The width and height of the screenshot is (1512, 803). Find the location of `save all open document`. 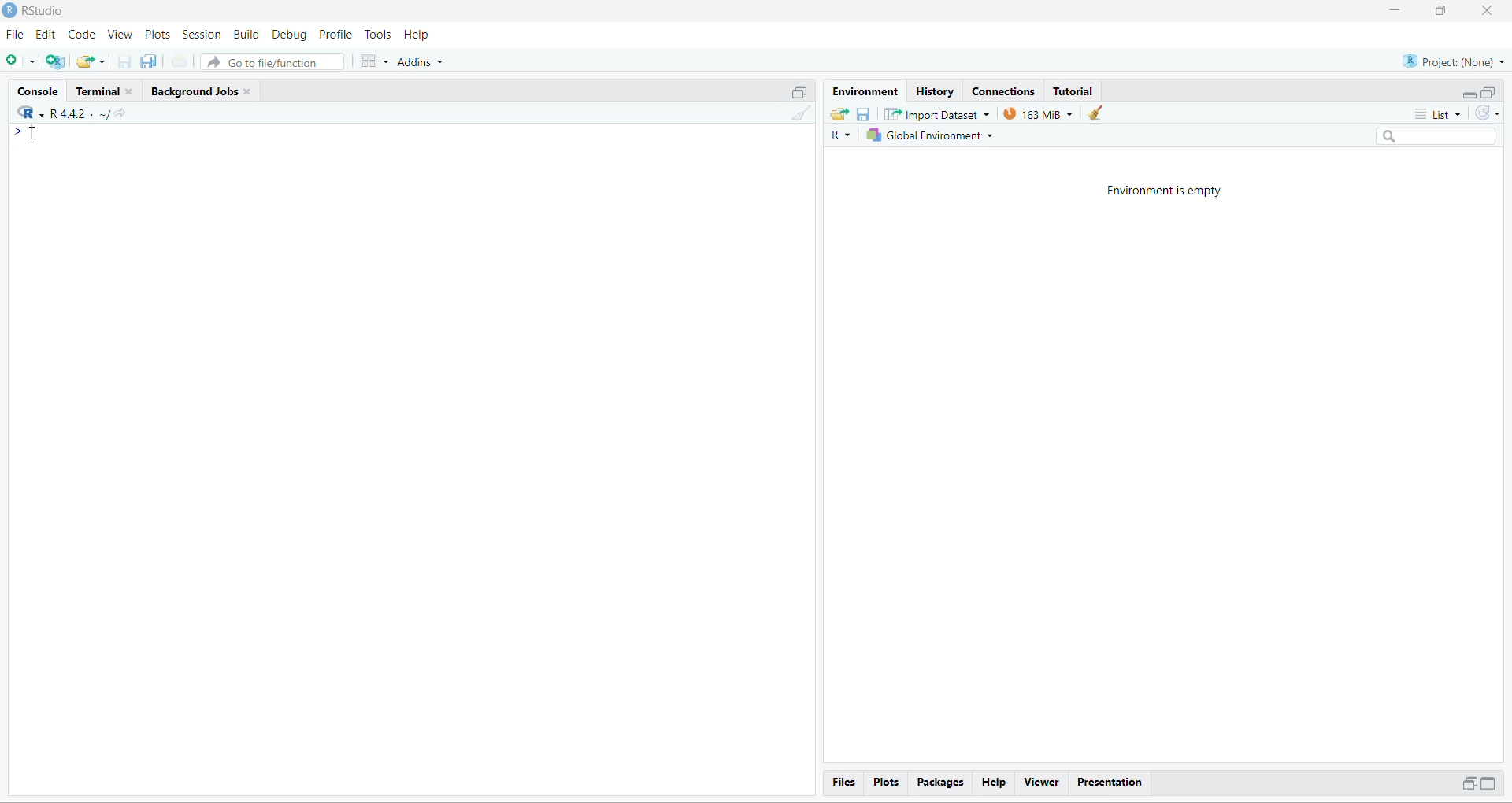

save all open document is located at coordinates (150, 61).